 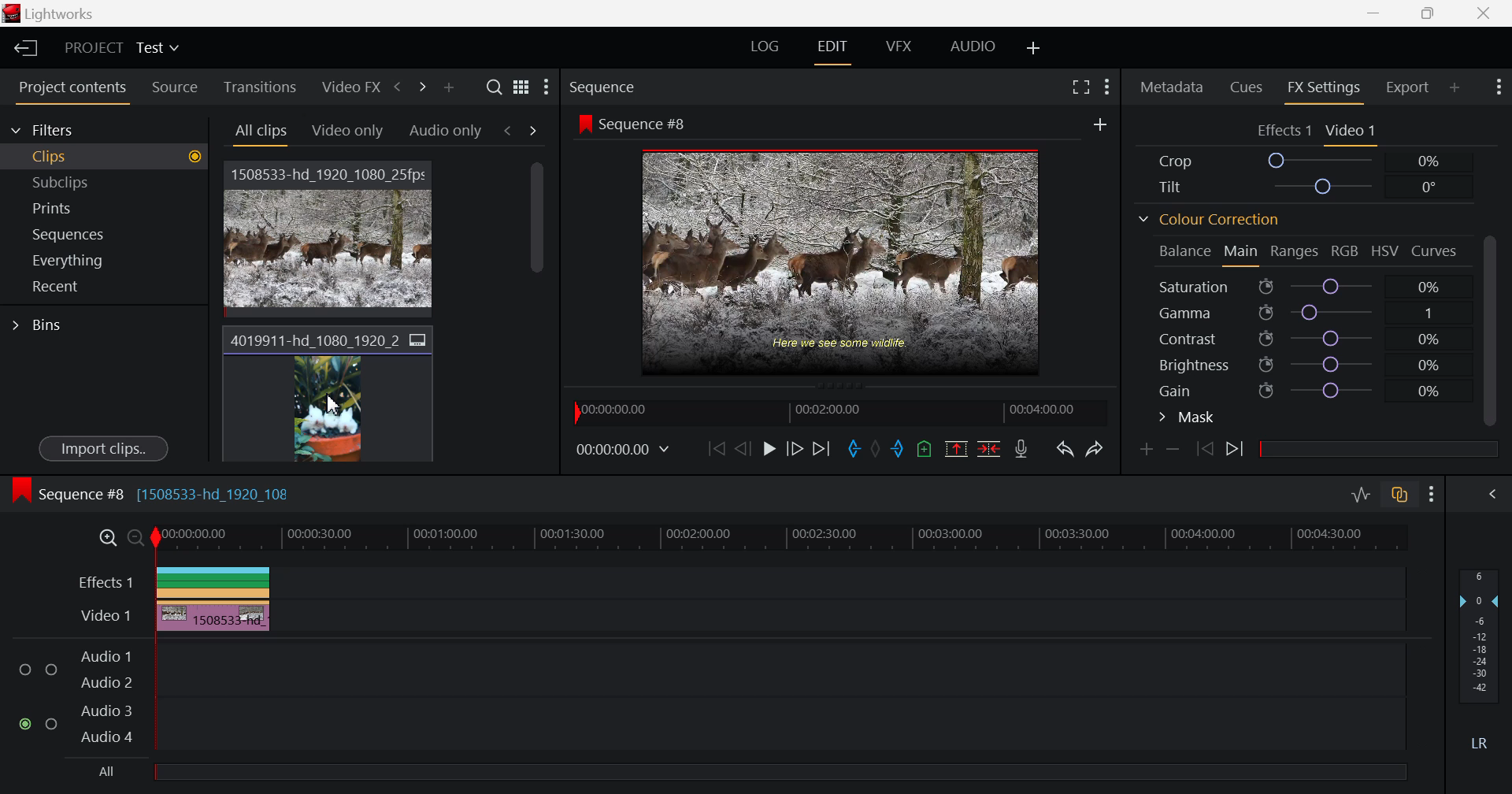 I want to click on Minimize, so click(x=1429, y=13).